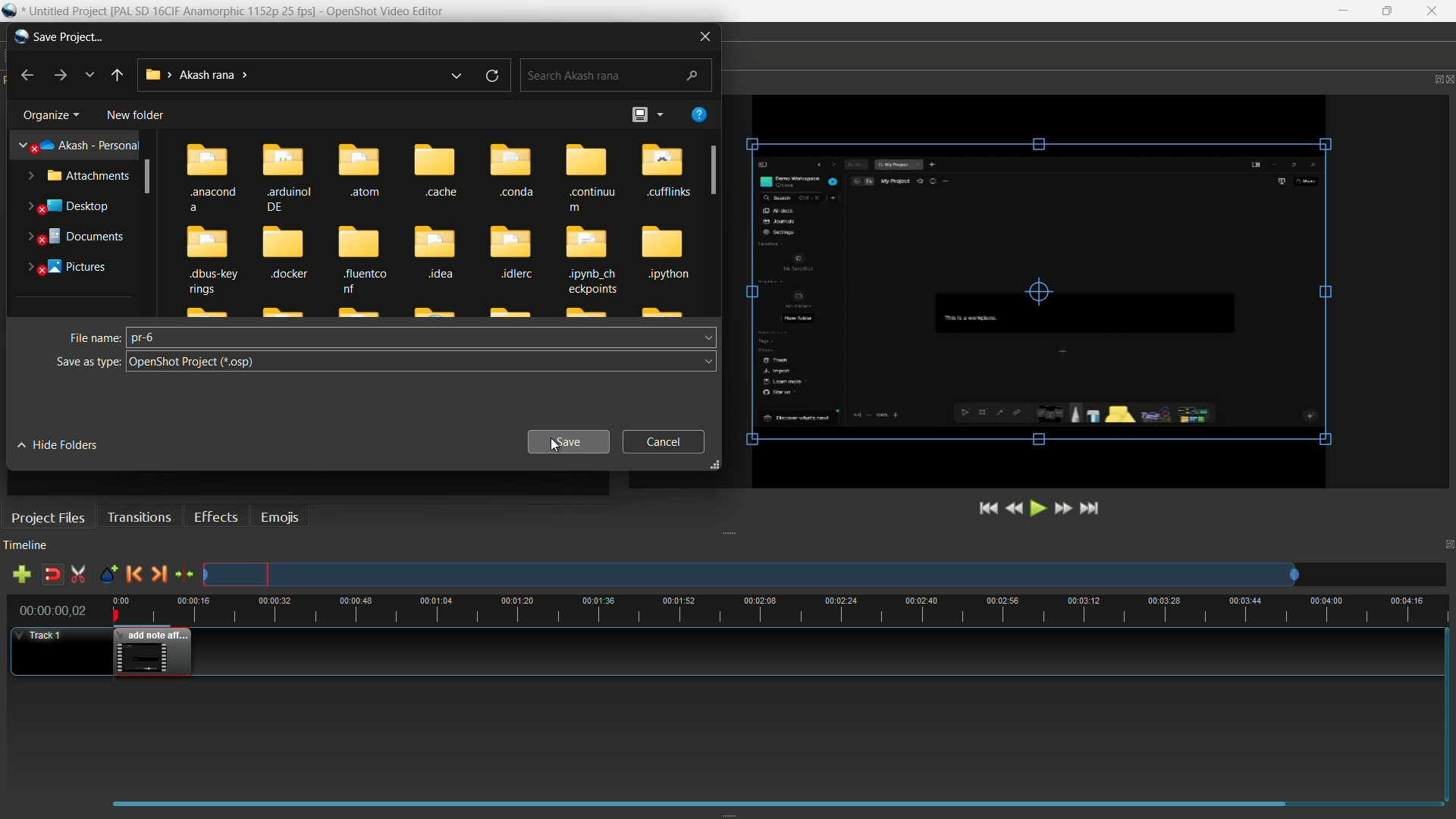 This screenshot has width=1456, height=819. Describe the element at coordinates (1447, 545) in the screenshot. I see `close timeline` at that location.